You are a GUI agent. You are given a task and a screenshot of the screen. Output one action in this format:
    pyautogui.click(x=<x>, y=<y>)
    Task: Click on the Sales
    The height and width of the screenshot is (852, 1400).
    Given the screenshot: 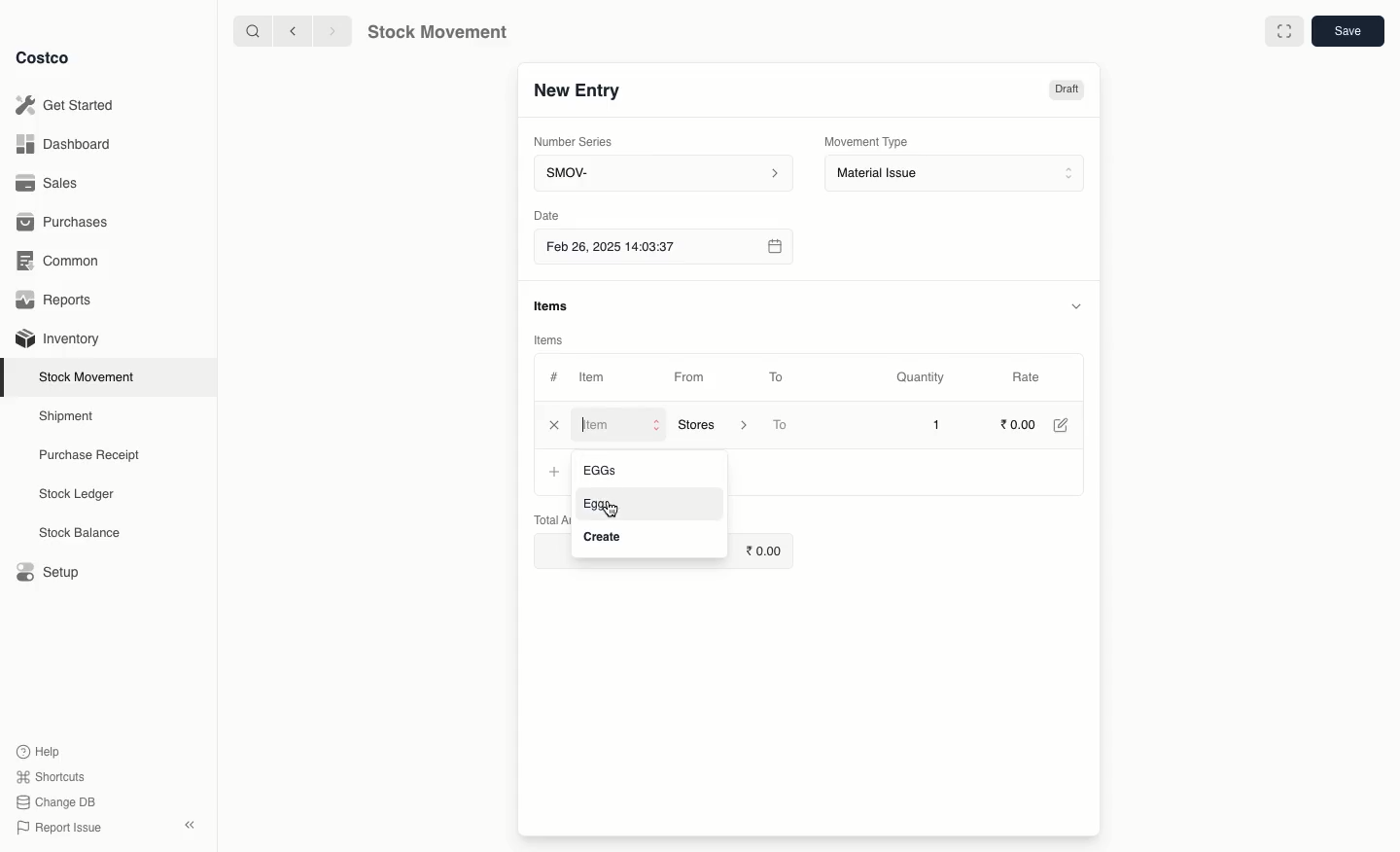 What is the action you would take?
    pyautogui.click(x=50, y=182)
    